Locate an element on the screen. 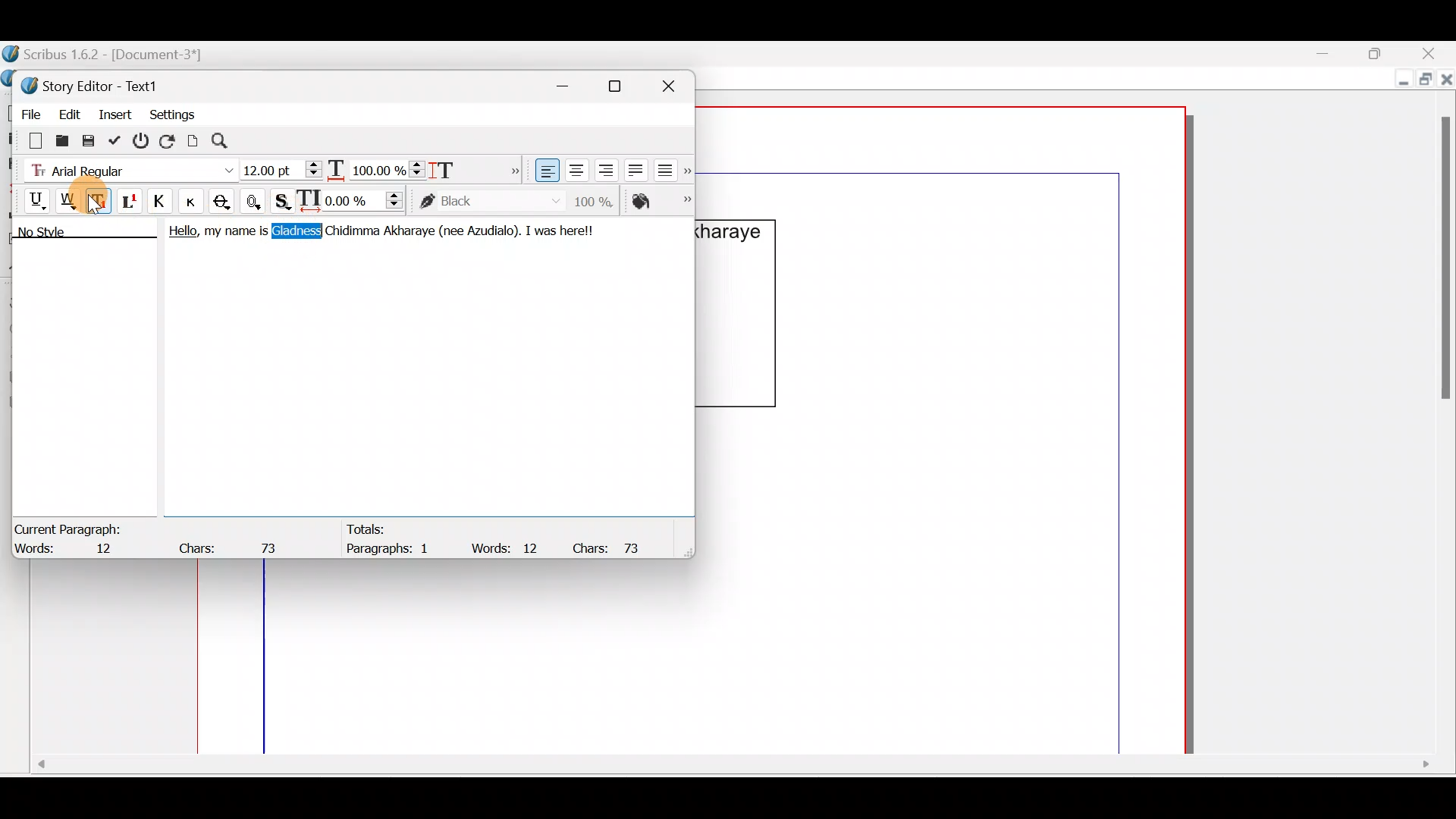  color of text stroke is located at coordinates (490, 202).